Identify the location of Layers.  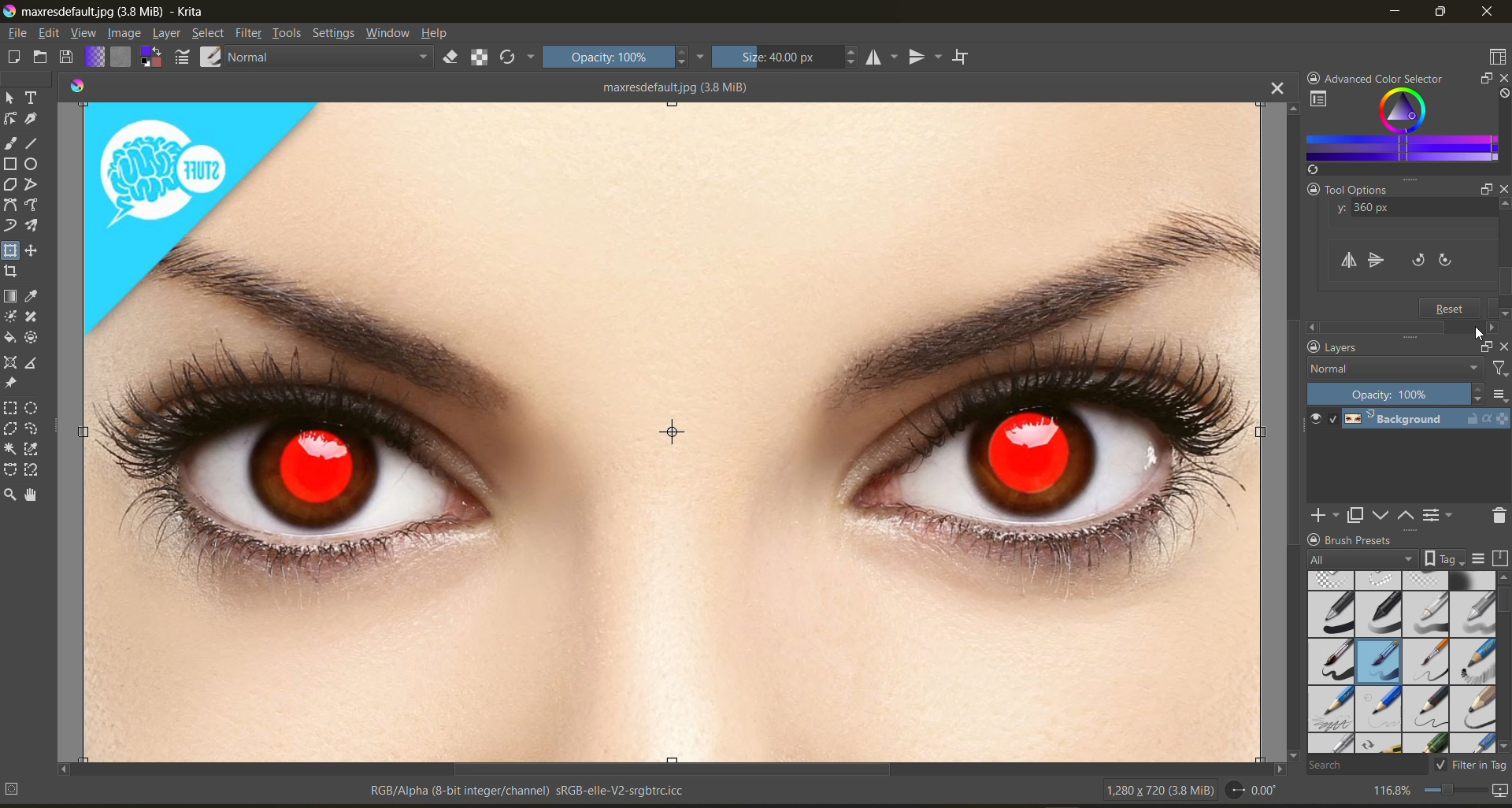
(1372, 348).